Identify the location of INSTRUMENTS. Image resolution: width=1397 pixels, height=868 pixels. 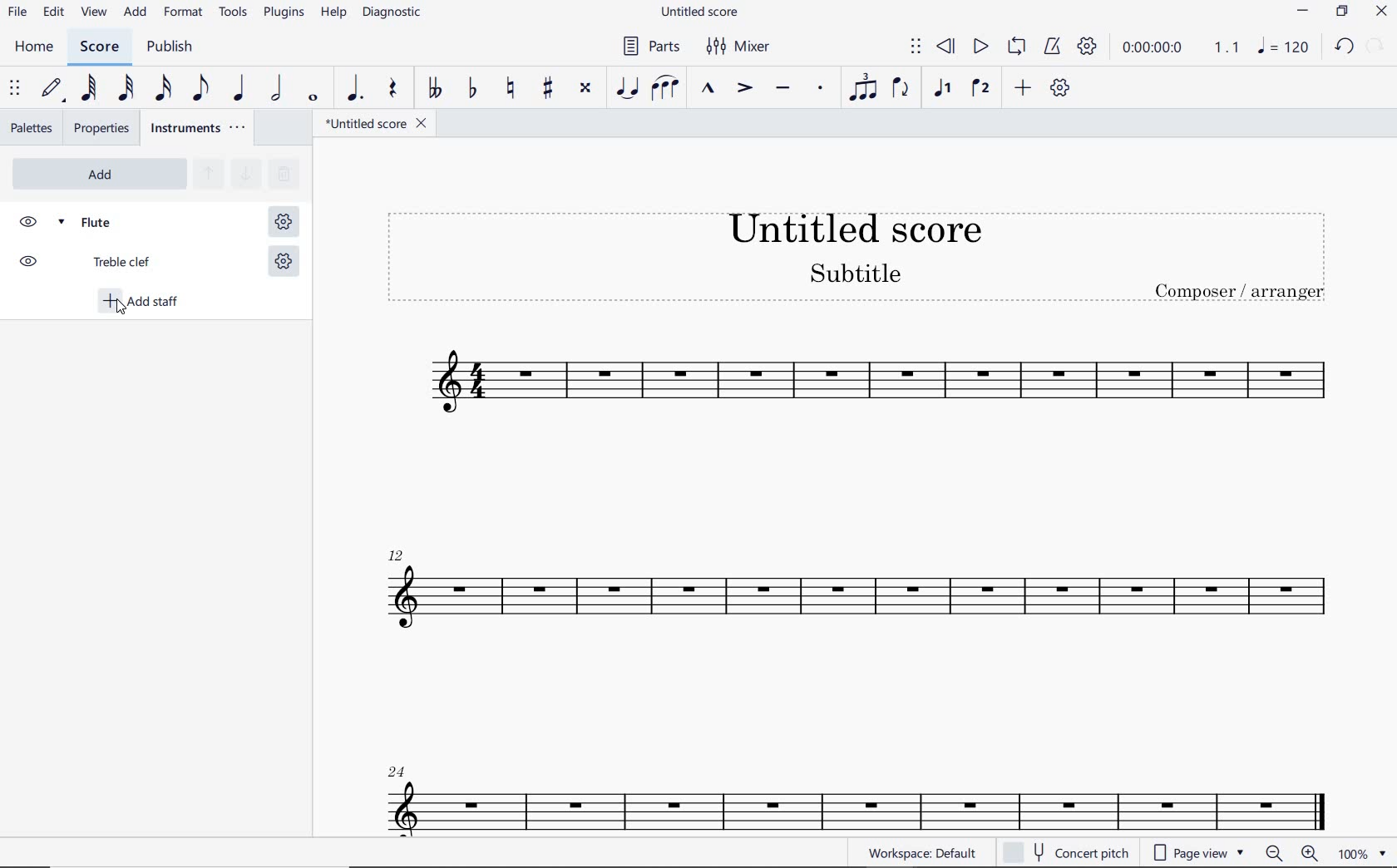
(200, 129).